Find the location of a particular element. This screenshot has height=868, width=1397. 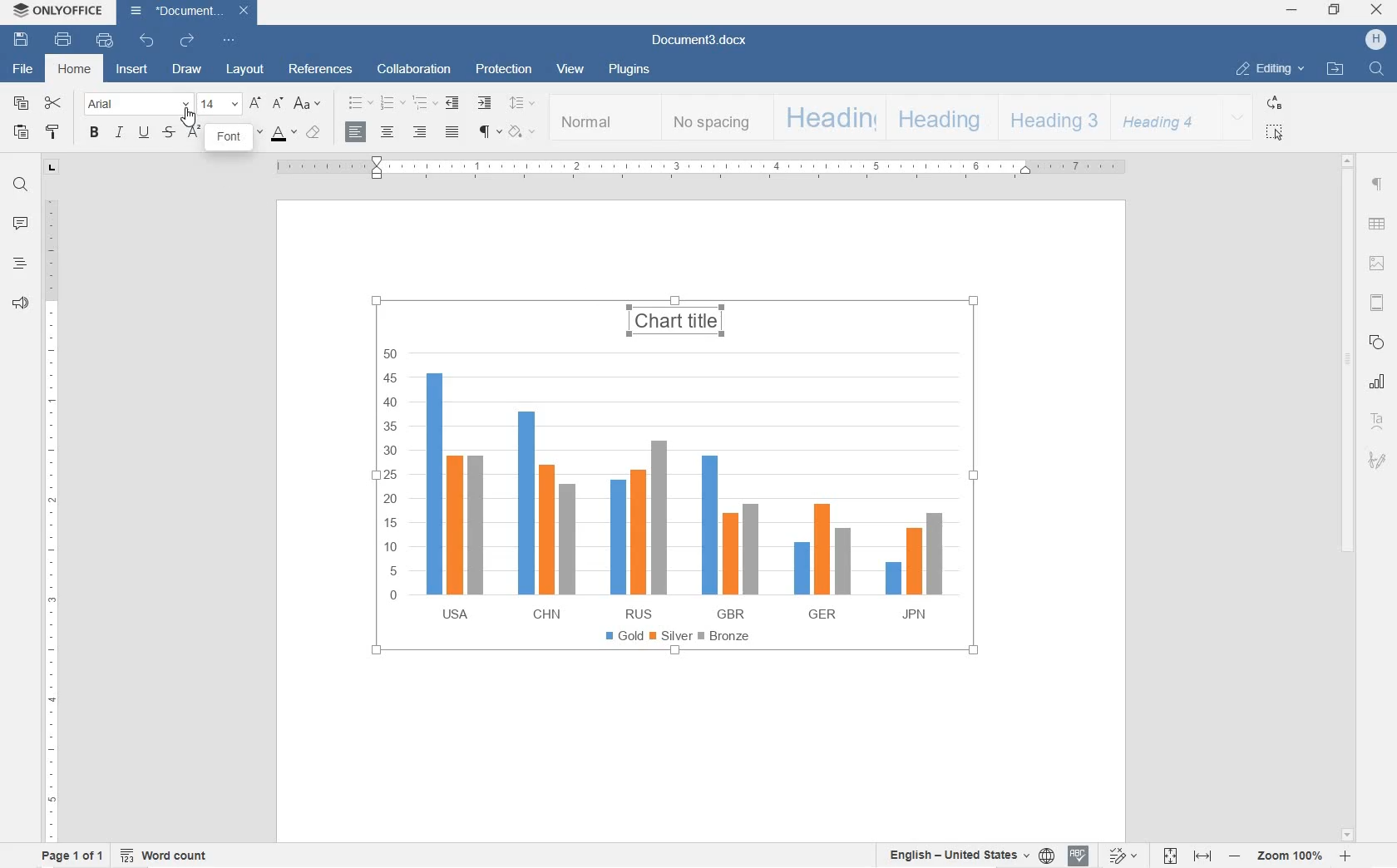

NON PRINTING CHARACTERS is located at coordinates (489, 133).